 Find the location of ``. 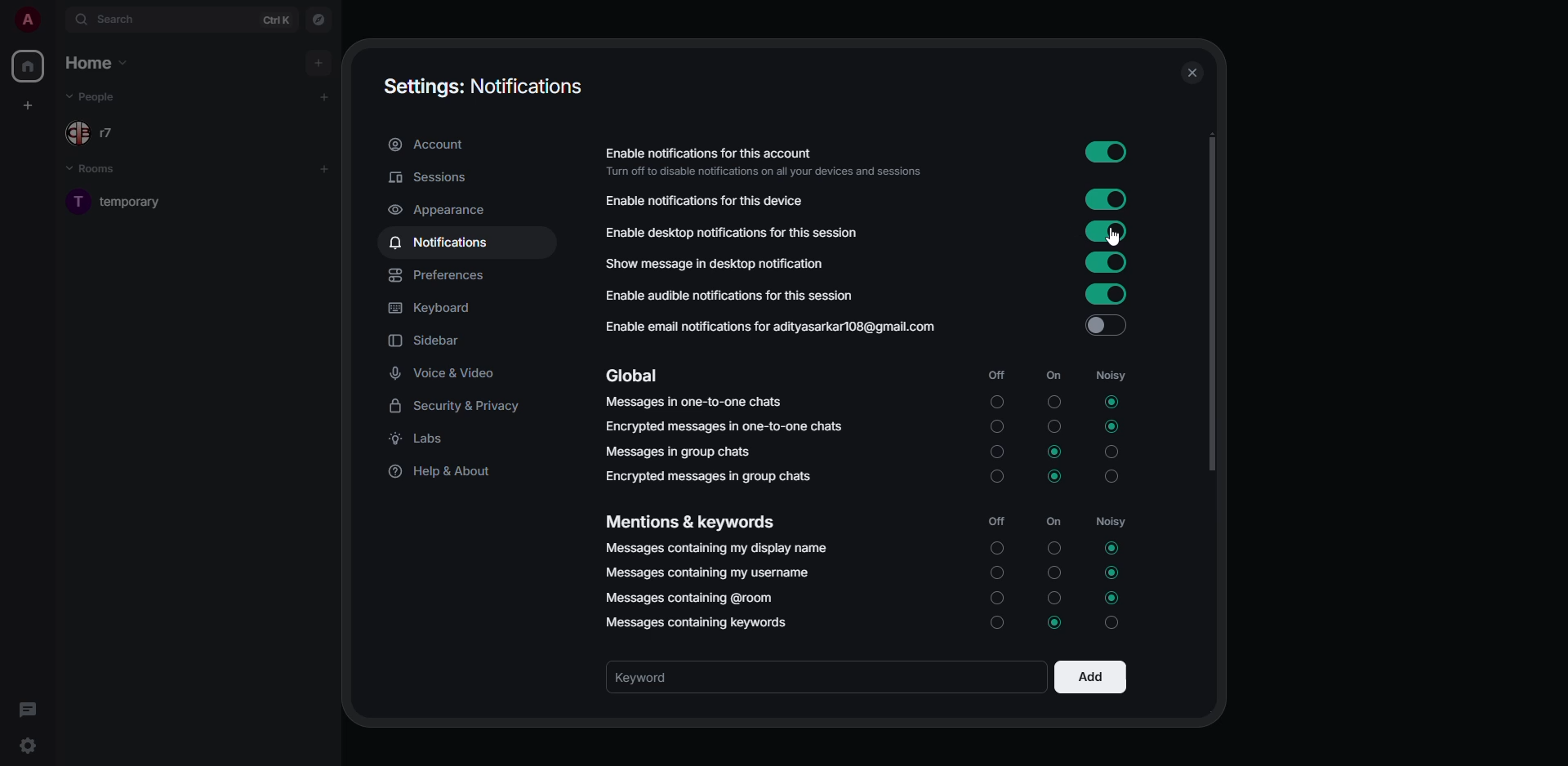

 is located at coordinates (1108, 623).